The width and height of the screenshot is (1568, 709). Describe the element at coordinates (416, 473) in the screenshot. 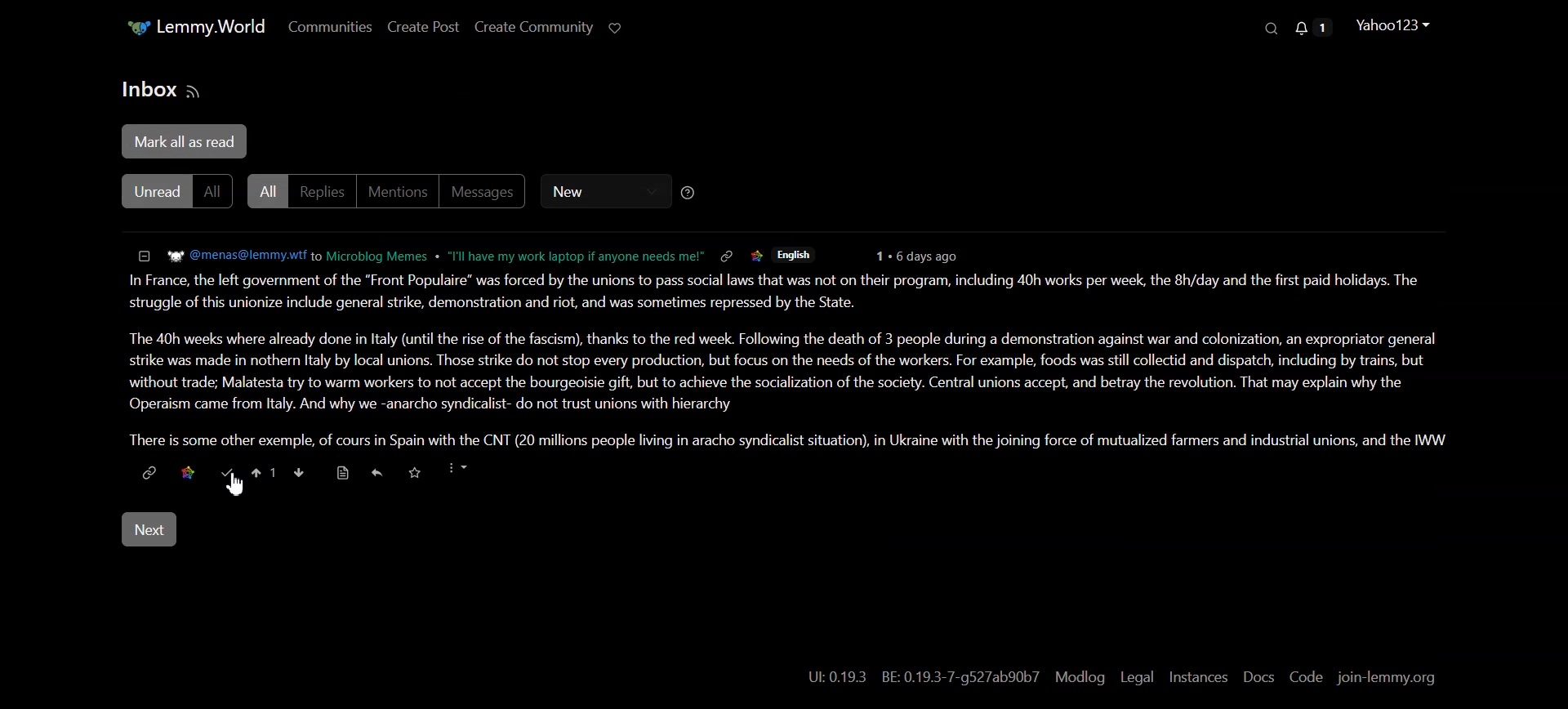

I see `Save` at that location.